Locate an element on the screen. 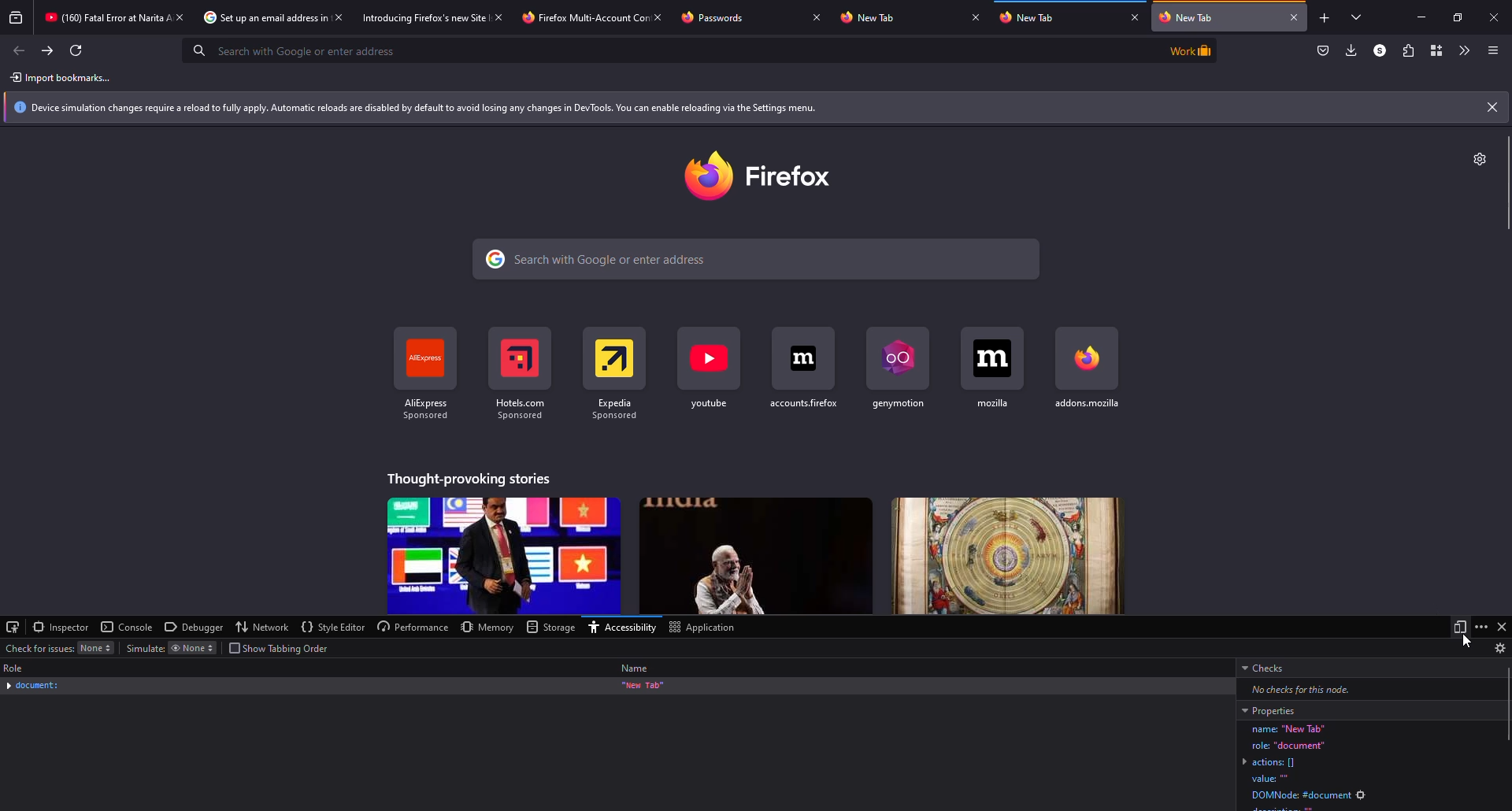 The width and height of the screenshot is (1512, 811). network is located at coordinates (262, 627).